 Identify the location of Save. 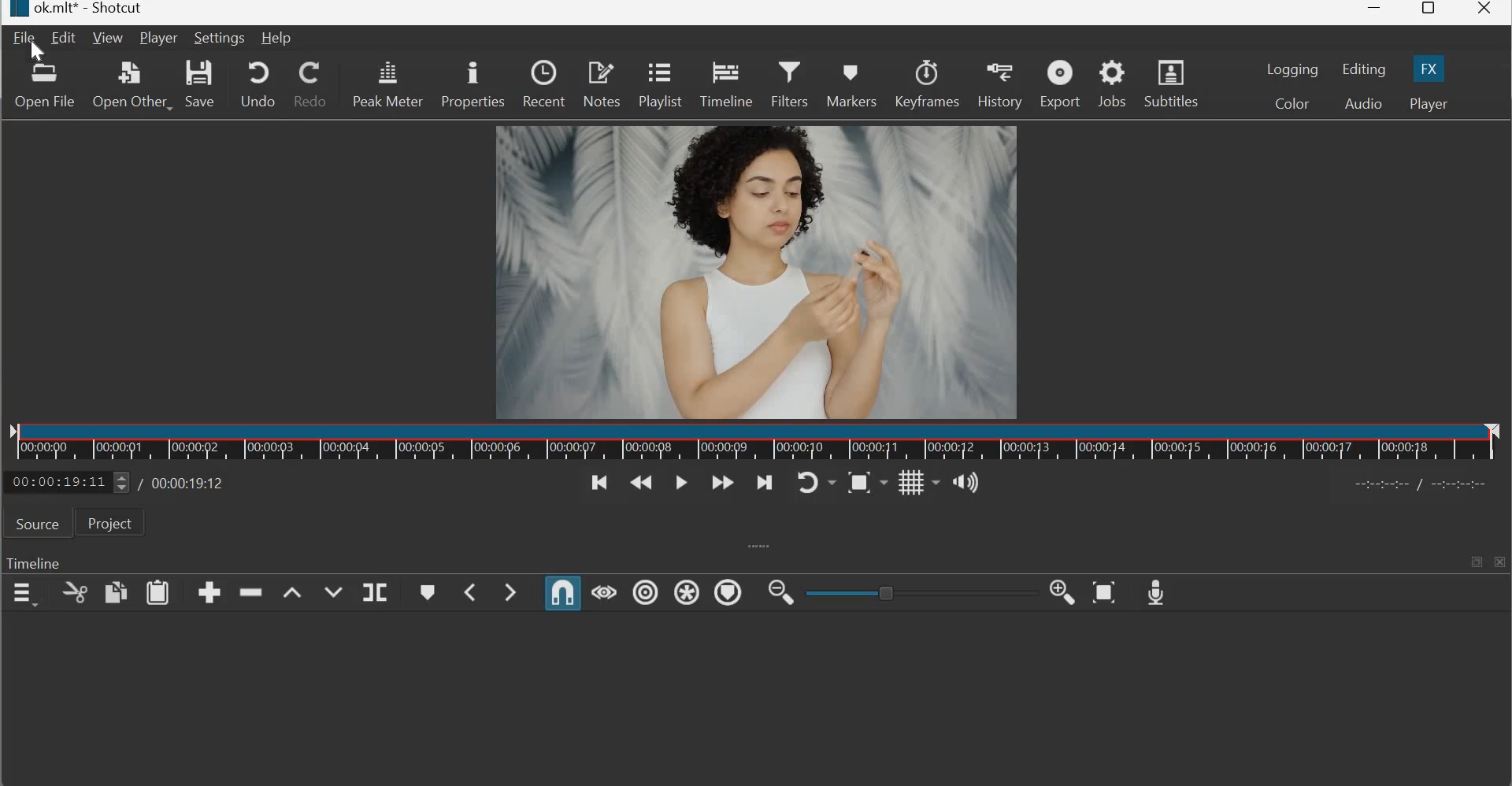
(202, 86).